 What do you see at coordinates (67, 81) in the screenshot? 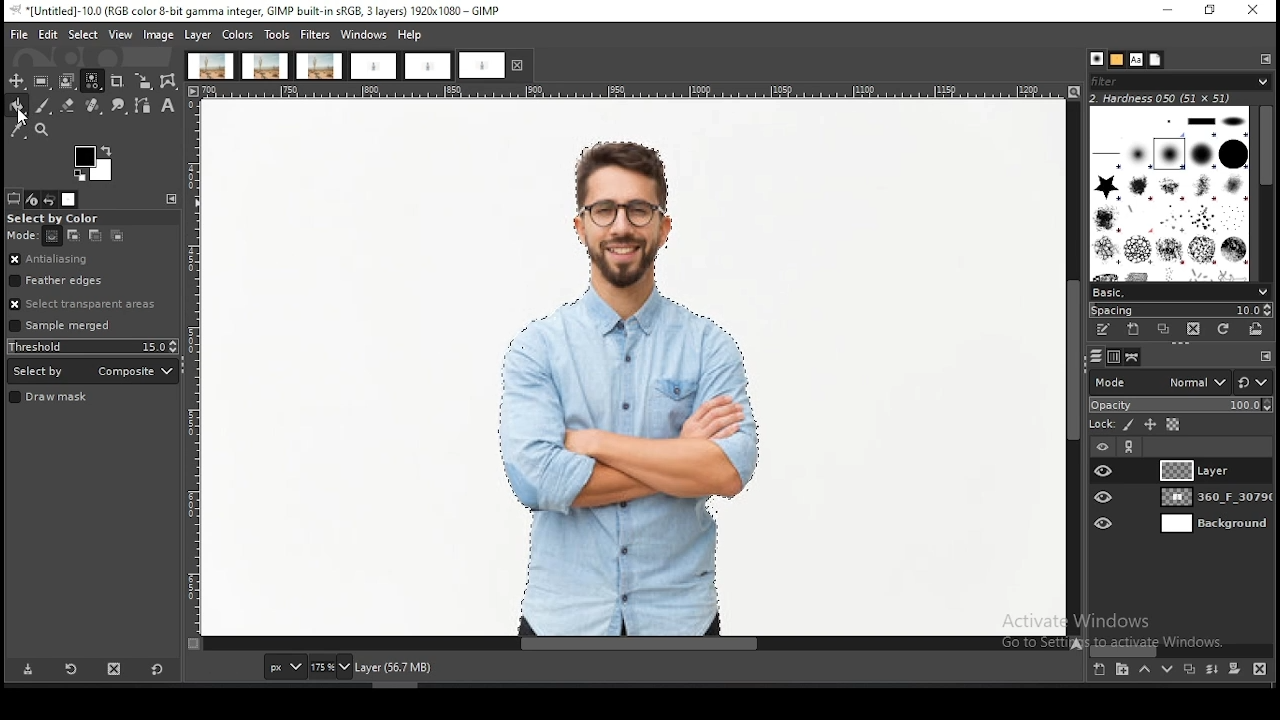
I see `foreground select tool` at bounding box center [67, 81].